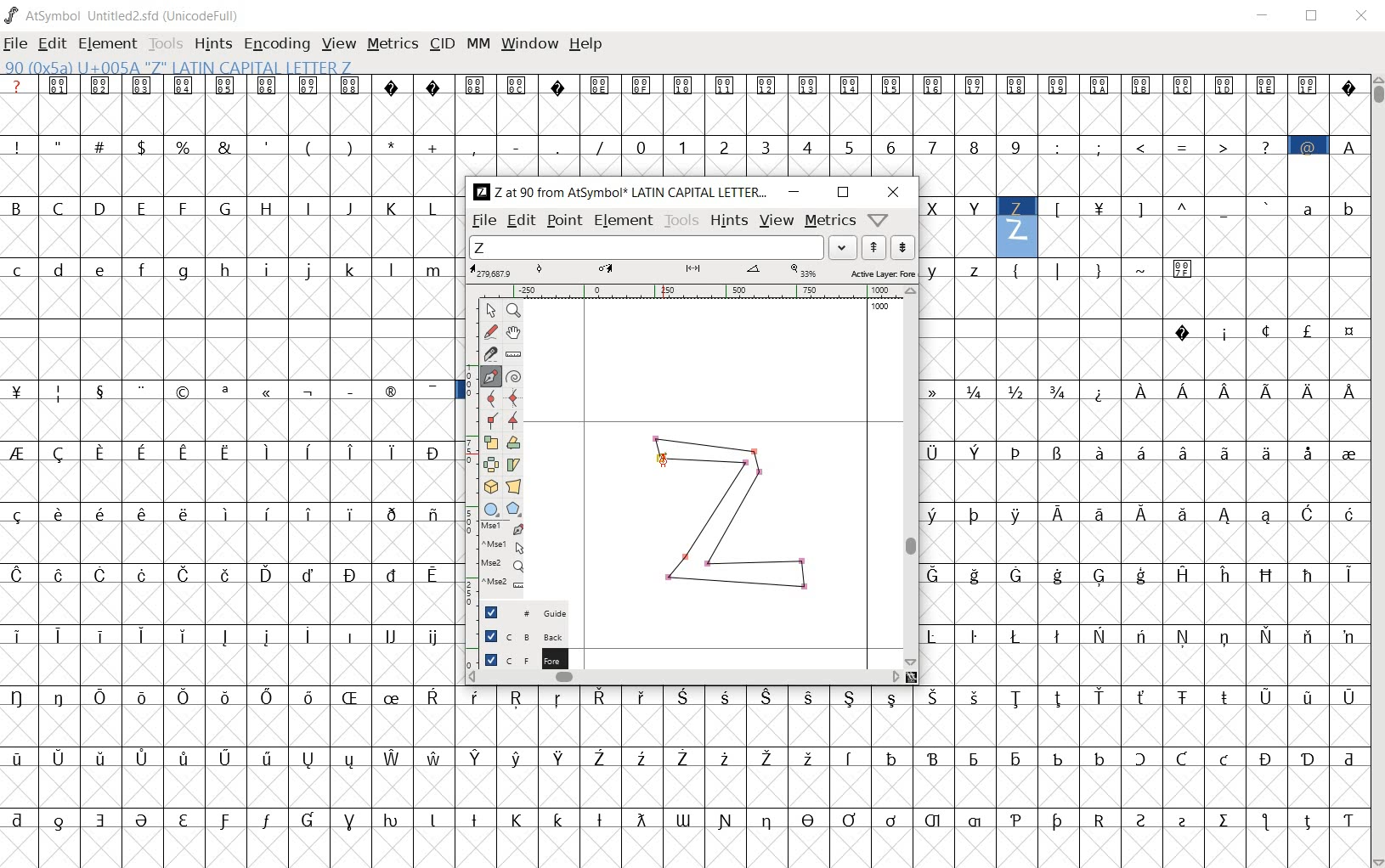 The image size is (1385, 868). I want to click on 90(0x5a) U+005A "Z" LATIN CAPITAL LETTER Z, so click(1018, 226).